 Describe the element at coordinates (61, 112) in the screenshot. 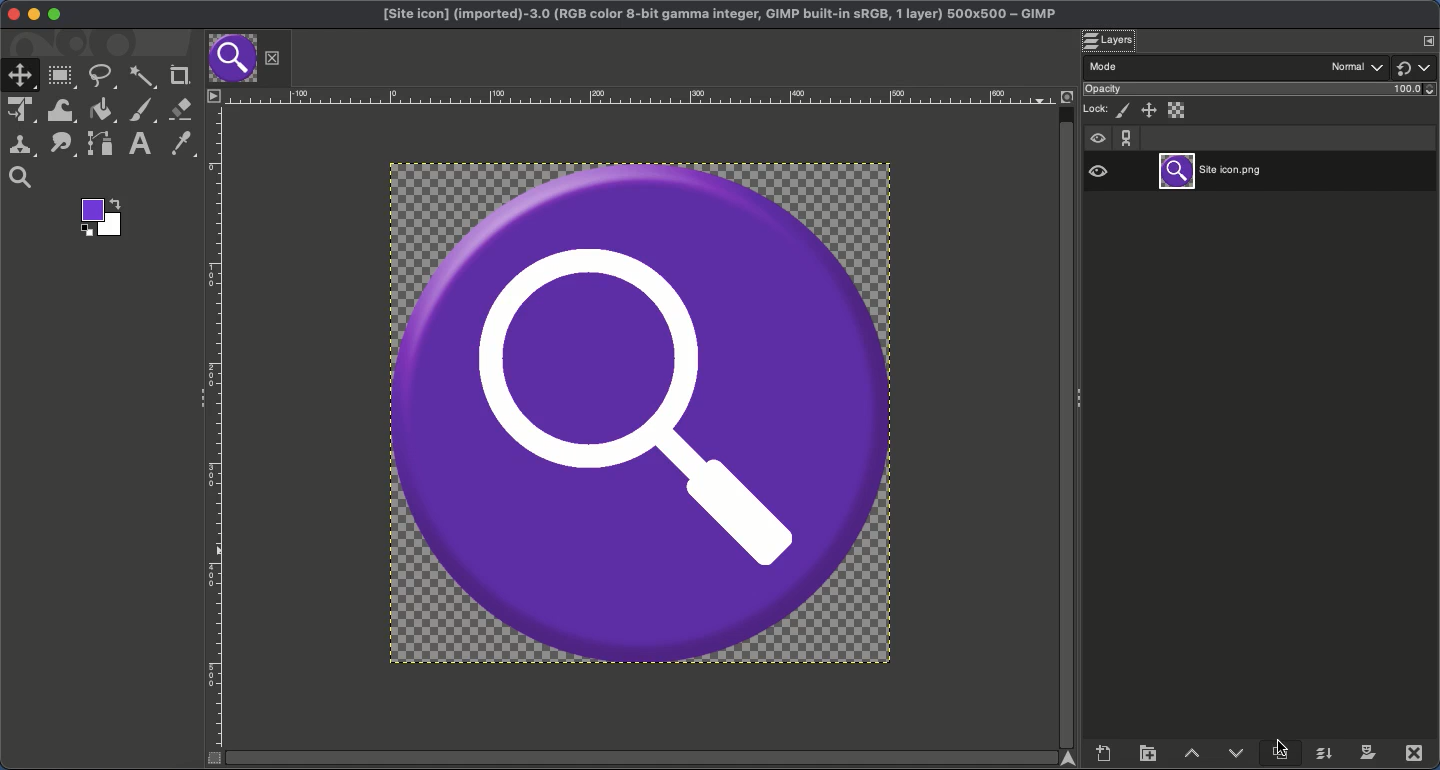

I see `Warp transformation` at that location.